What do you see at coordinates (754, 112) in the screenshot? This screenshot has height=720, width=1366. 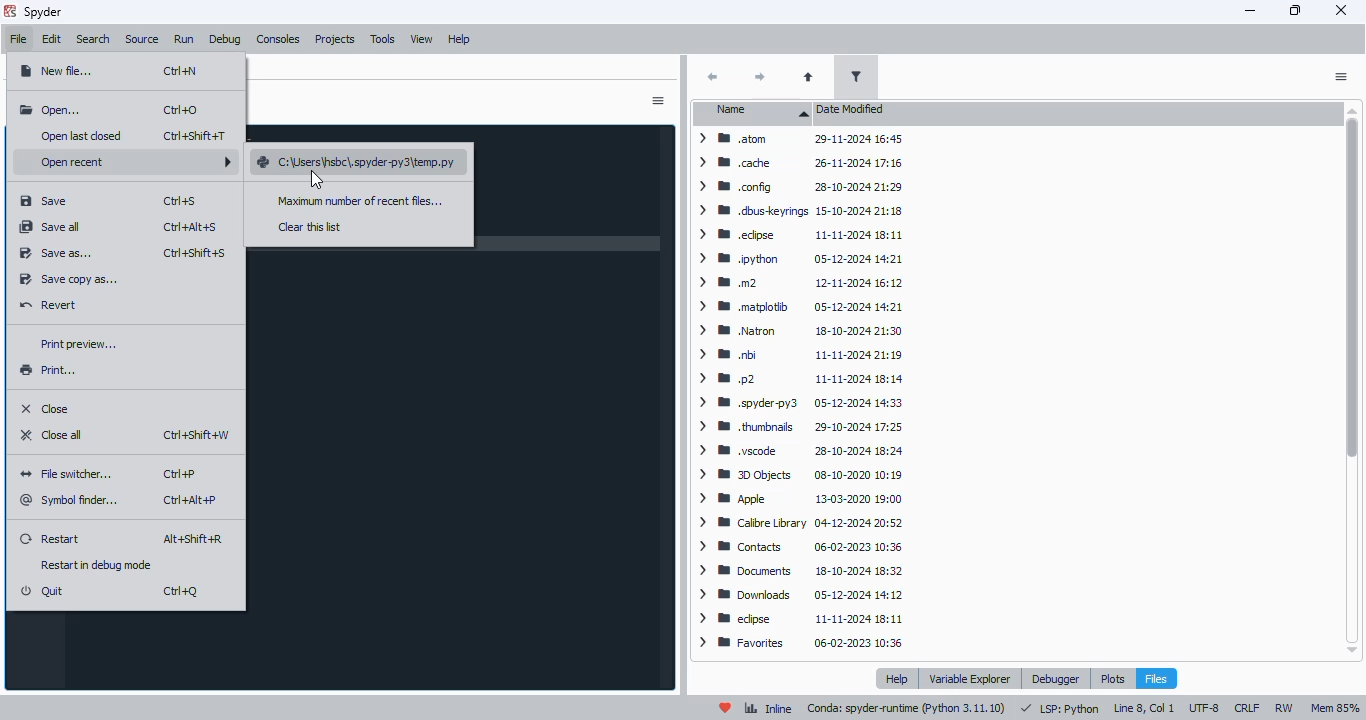 I see `name` at bounding box center [754, 112].